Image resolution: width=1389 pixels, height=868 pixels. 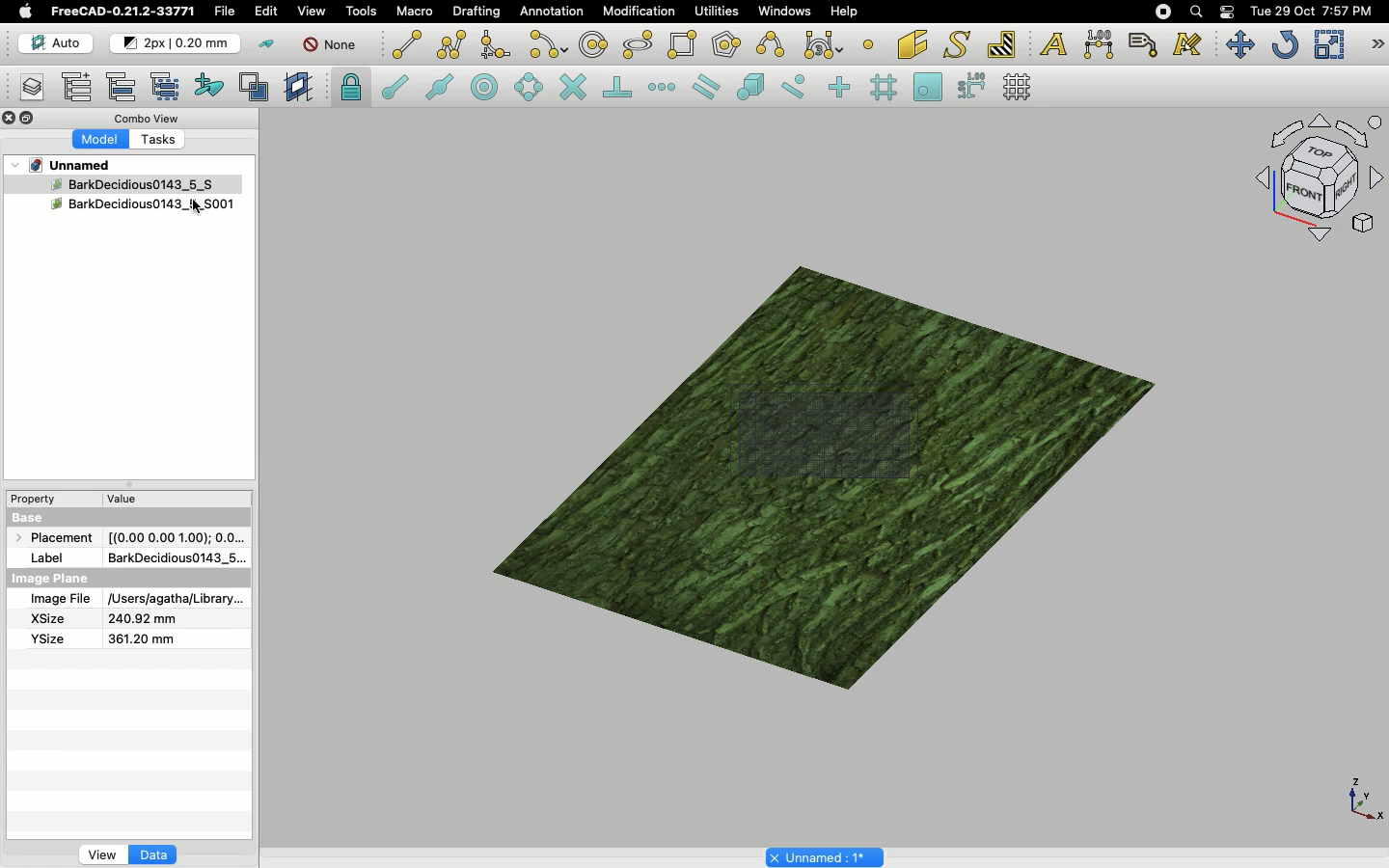 What do you see at coordinates (352, 90) in the screenshot?
I see `lock` at bounding box center [352, 90].